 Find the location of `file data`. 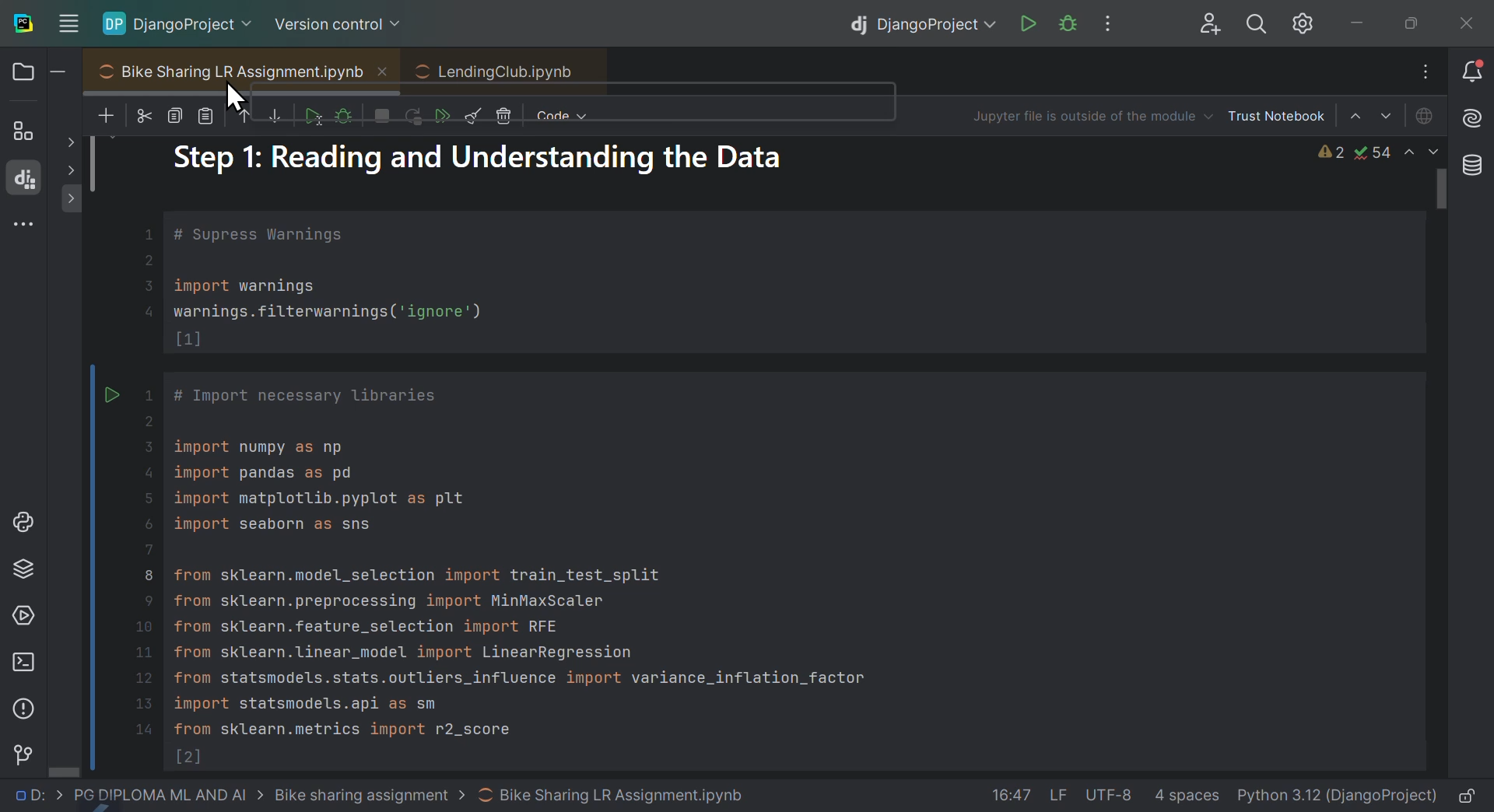

file data is located at coordinates (1105, 794).